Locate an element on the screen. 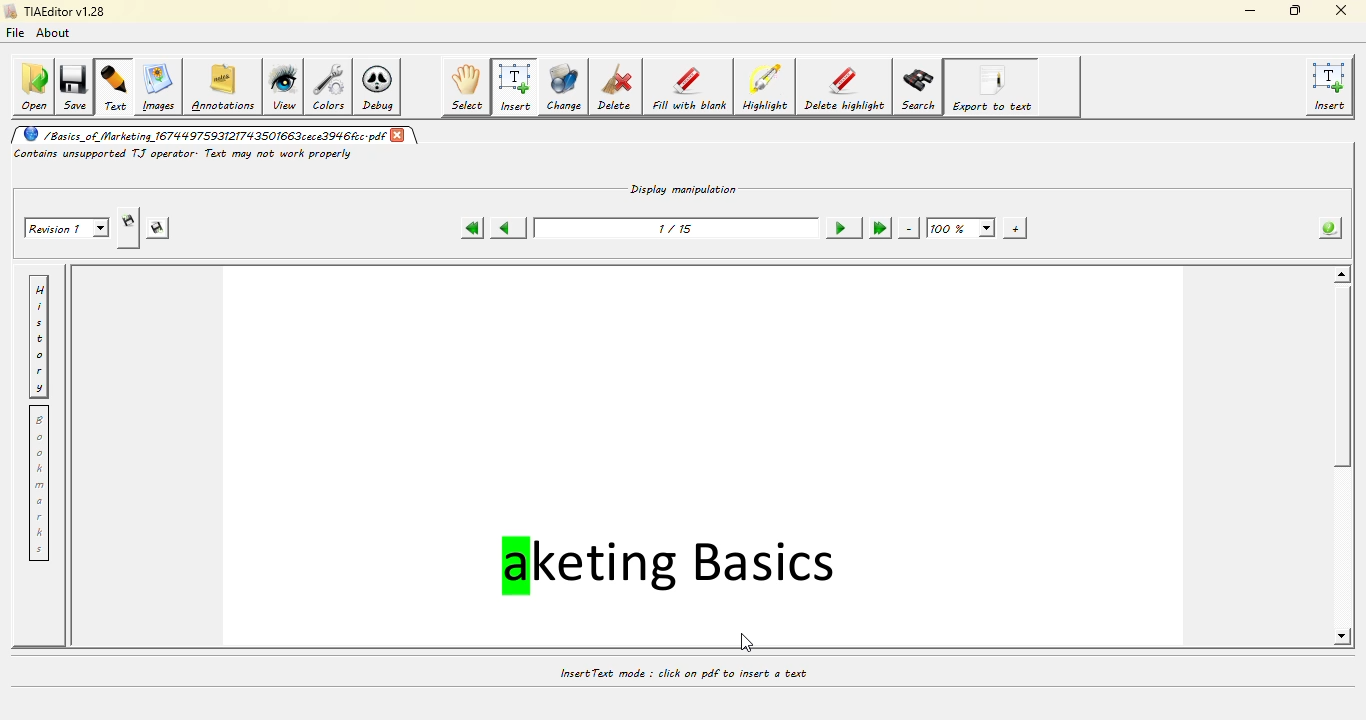 The width and height of the screenshot is (1366, 720). close is located at coordinates (1340, 10).